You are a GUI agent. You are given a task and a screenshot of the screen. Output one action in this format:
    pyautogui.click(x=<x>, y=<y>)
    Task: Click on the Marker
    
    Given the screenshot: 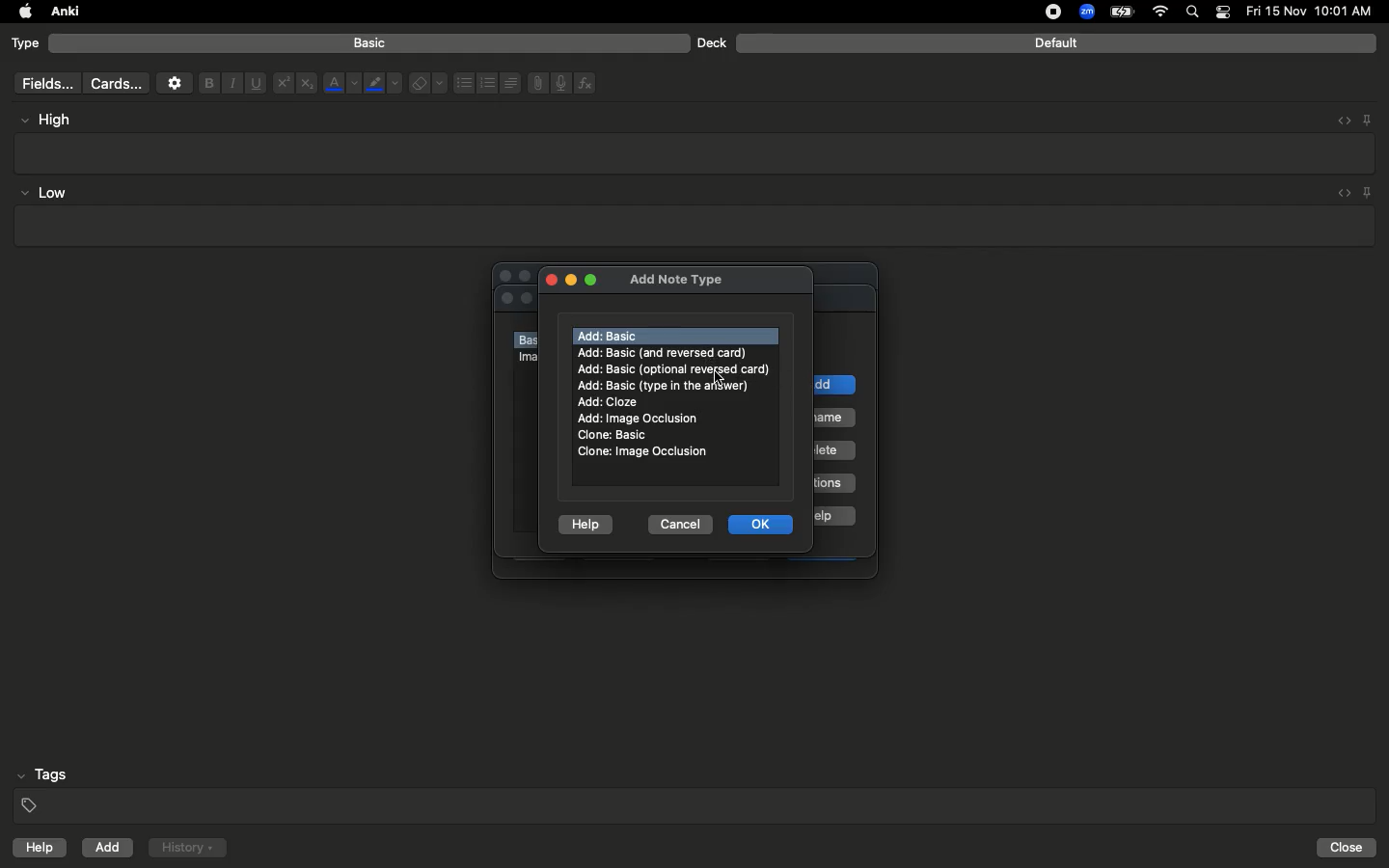 What is the action you would take?
    pyautogui.click(x=383, y=85)
    